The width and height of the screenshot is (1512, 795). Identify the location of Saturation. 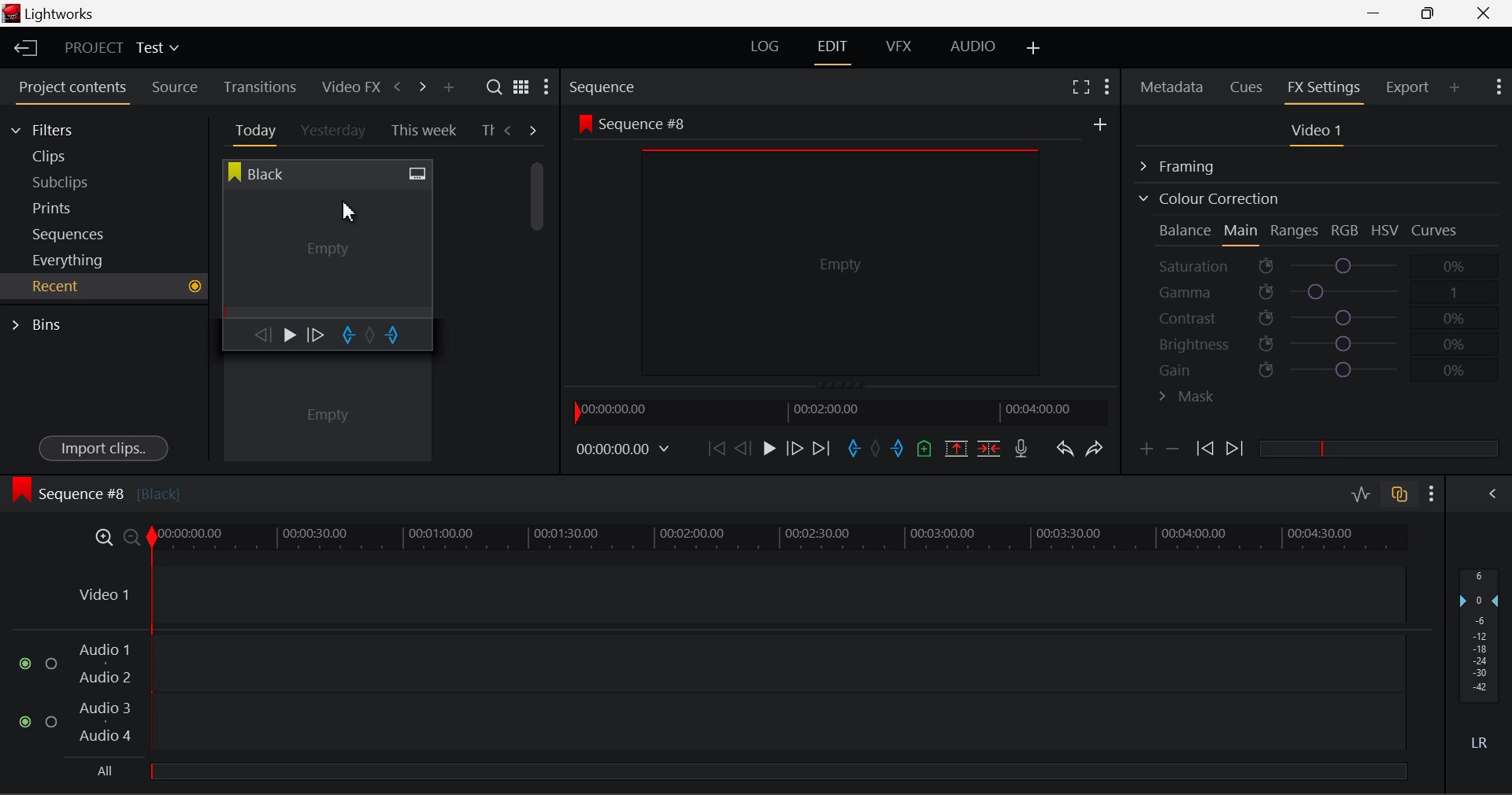
(1314, 263).